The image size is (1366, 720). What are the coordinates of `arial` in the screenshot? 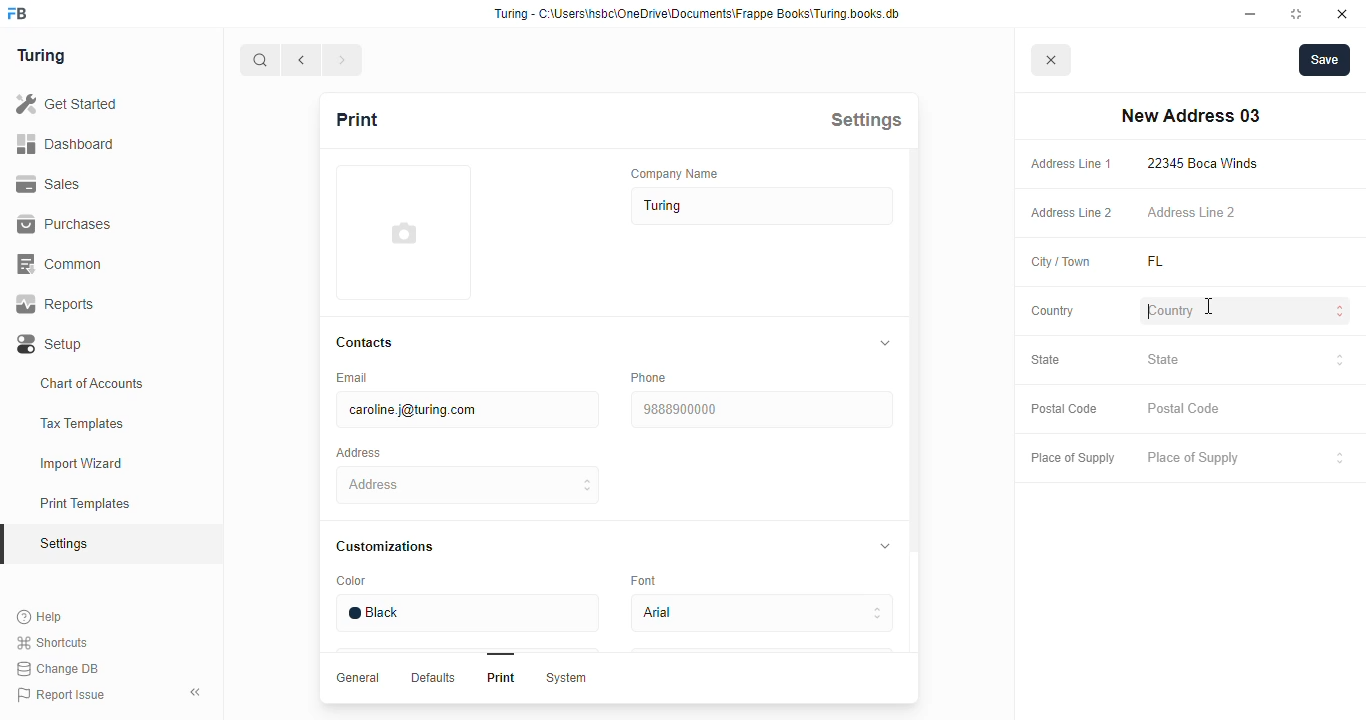 It's located at (761, 614).